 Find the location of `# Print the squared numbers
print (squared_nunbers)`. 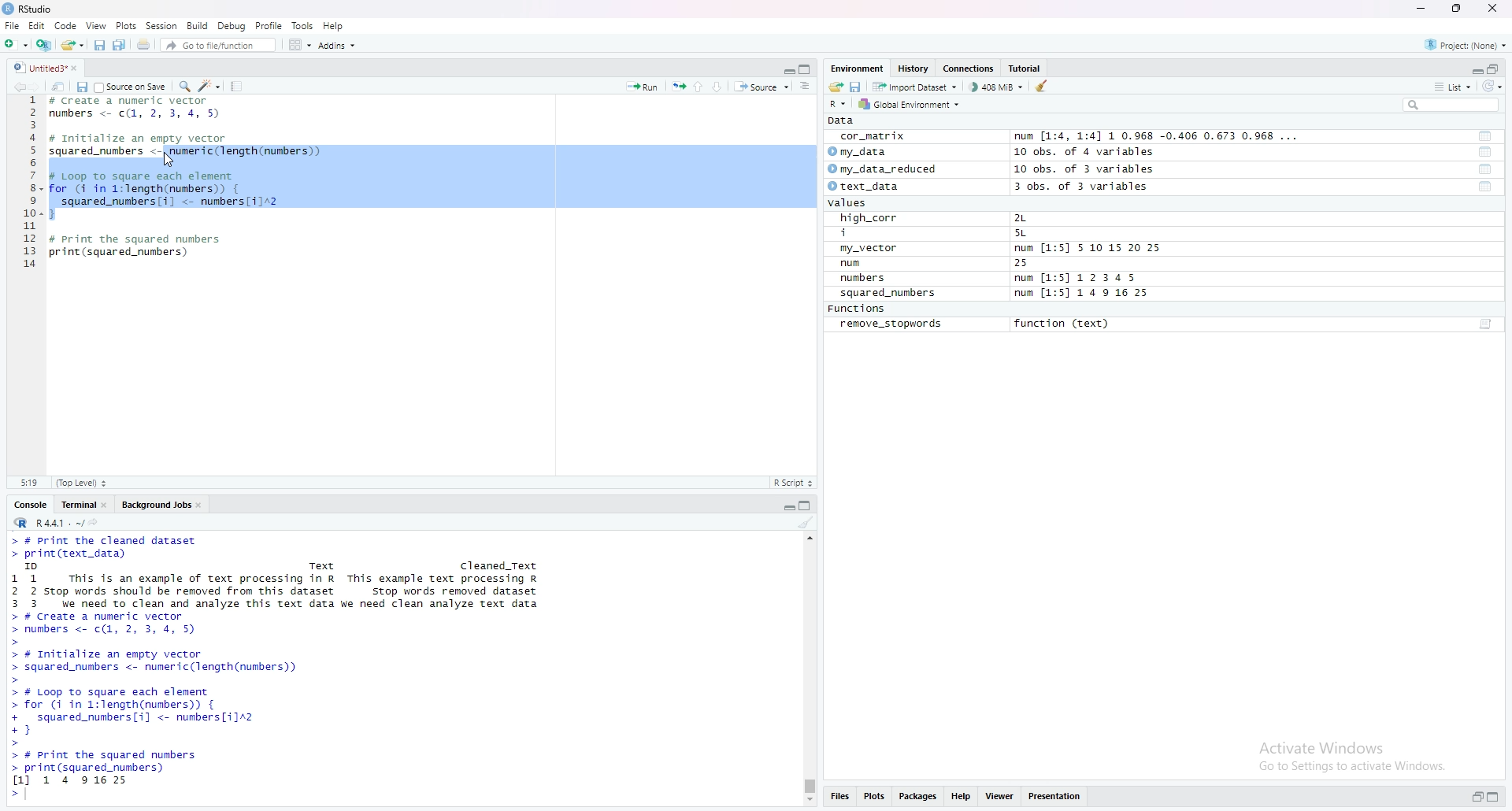

# Print the squared numbers
print (squared_nunbers) is located at coordinates (137, 250).